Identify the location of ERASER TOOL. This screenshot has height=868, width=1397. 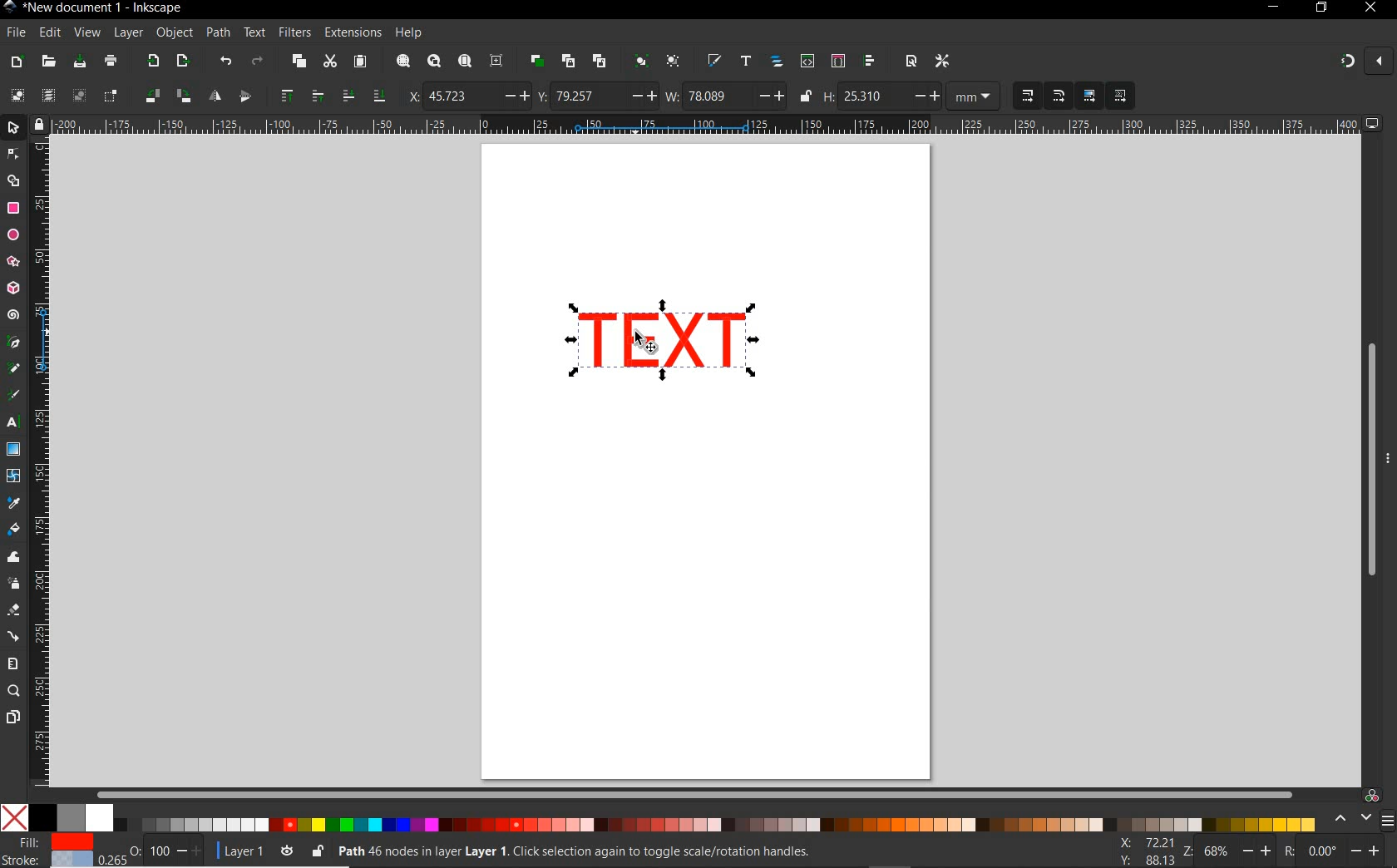
(15, 610).